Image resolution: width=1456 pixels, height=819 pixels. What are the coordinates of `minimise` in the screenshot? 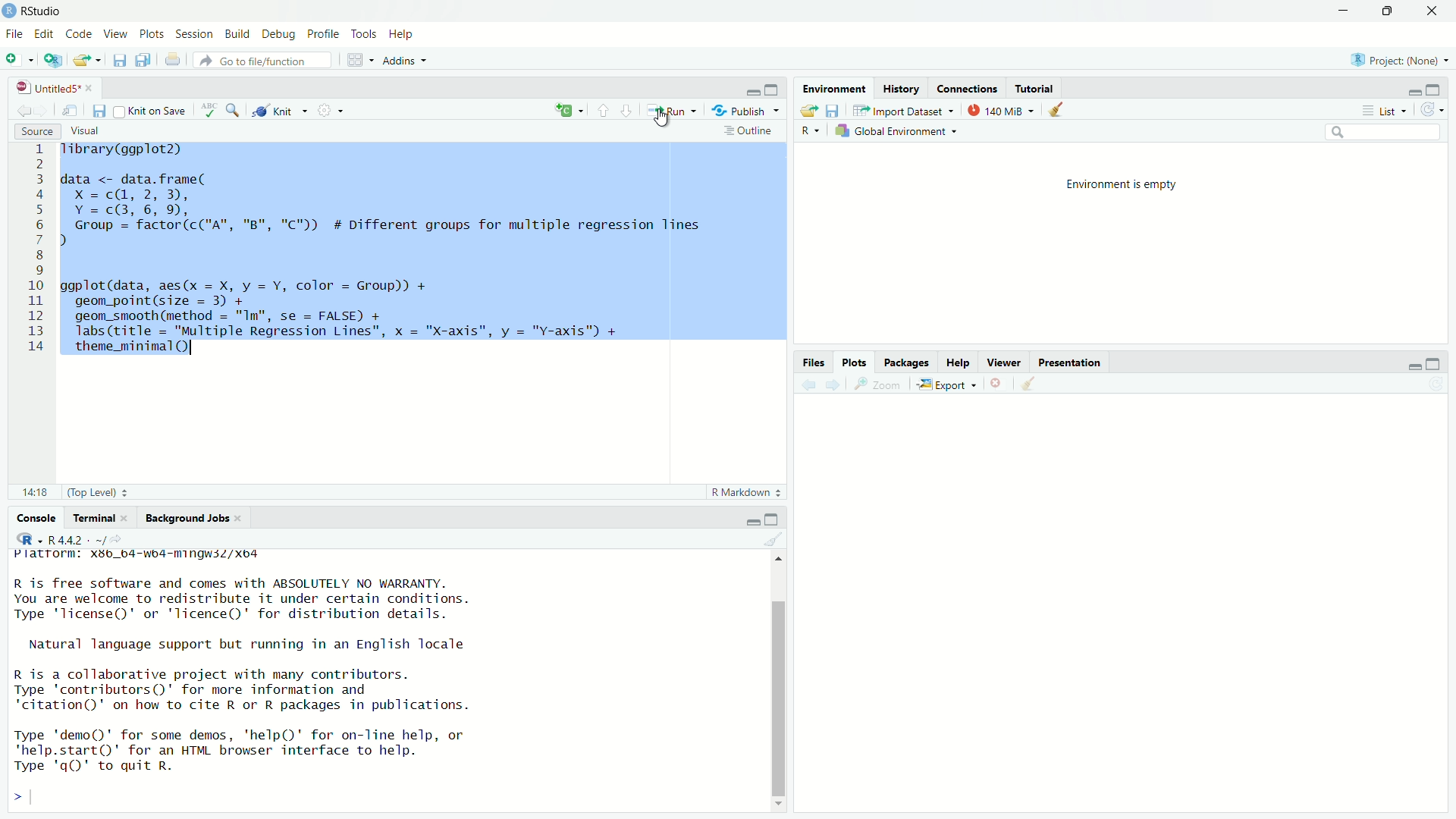 It's located at (749, 89).